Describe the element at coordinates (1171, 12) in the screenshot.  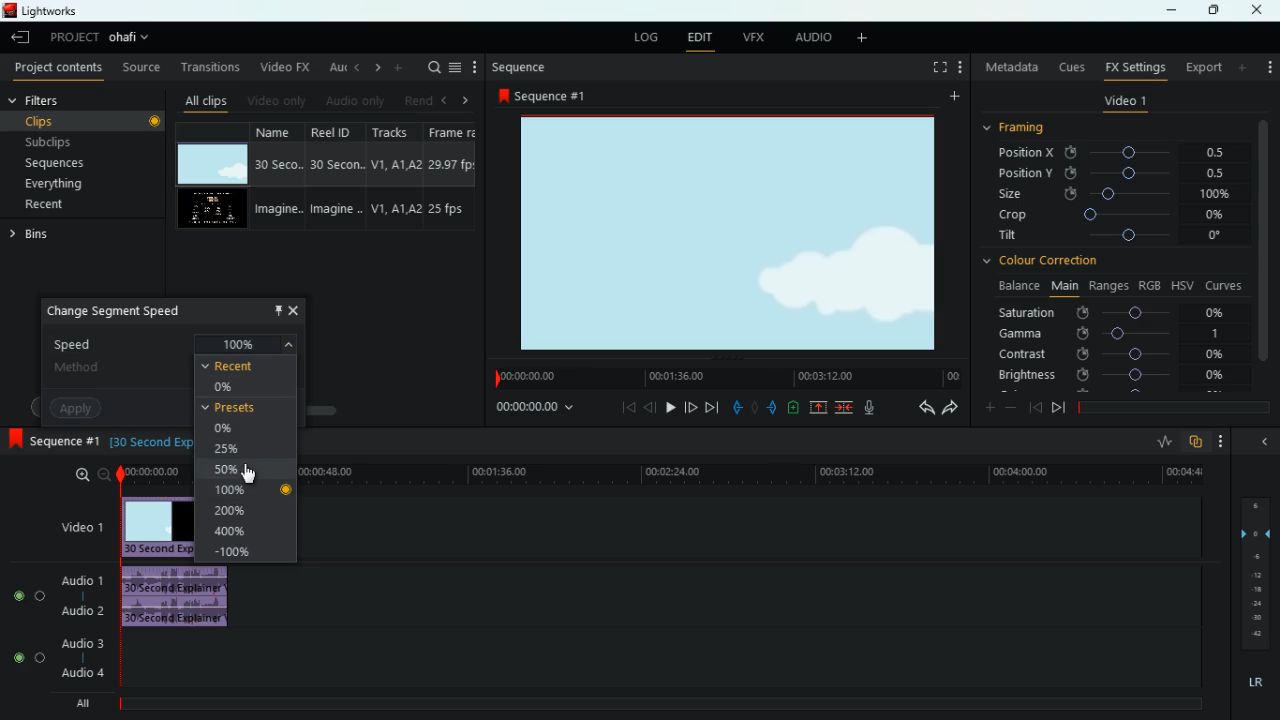
I see `minimize` at that location.